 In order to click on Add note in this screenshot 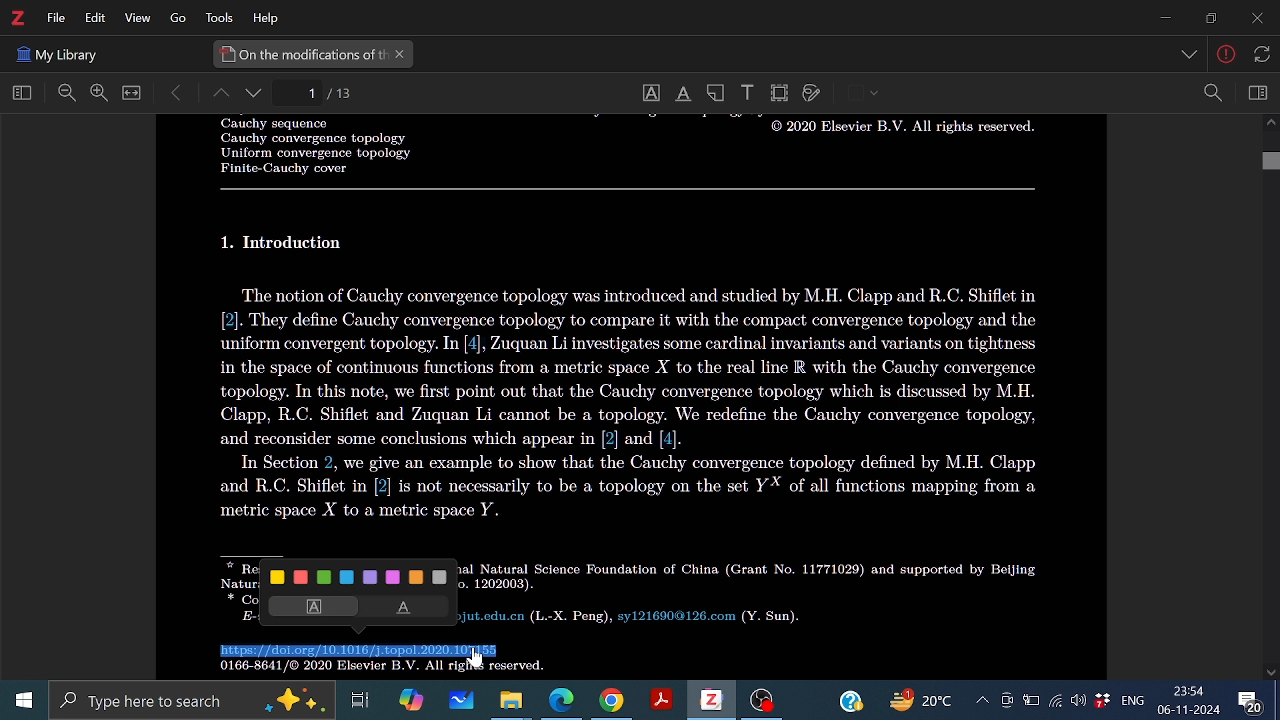, I will do `click(718, 92)`.